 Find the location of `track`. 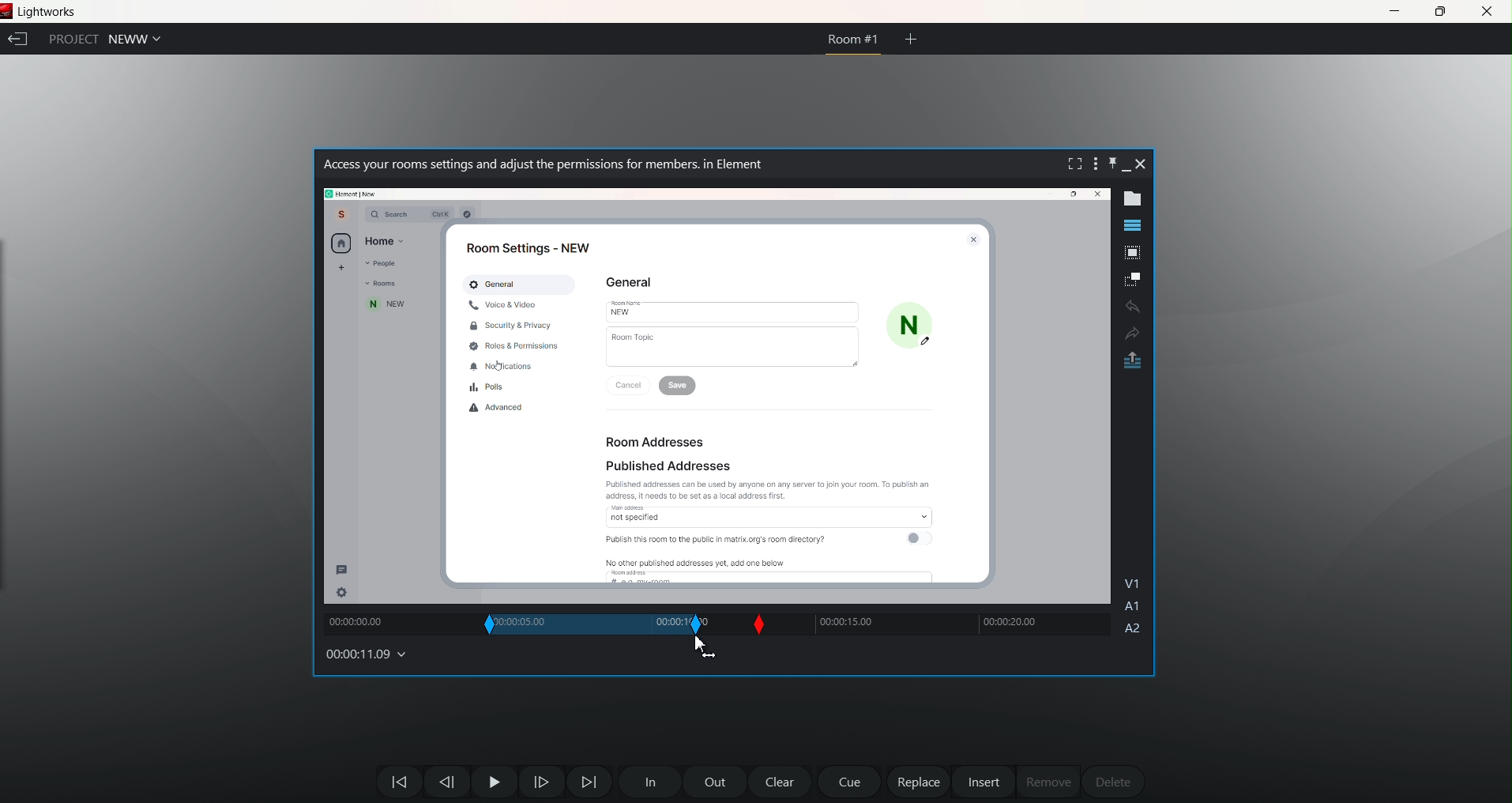

track is located at coordinates (661, 624).